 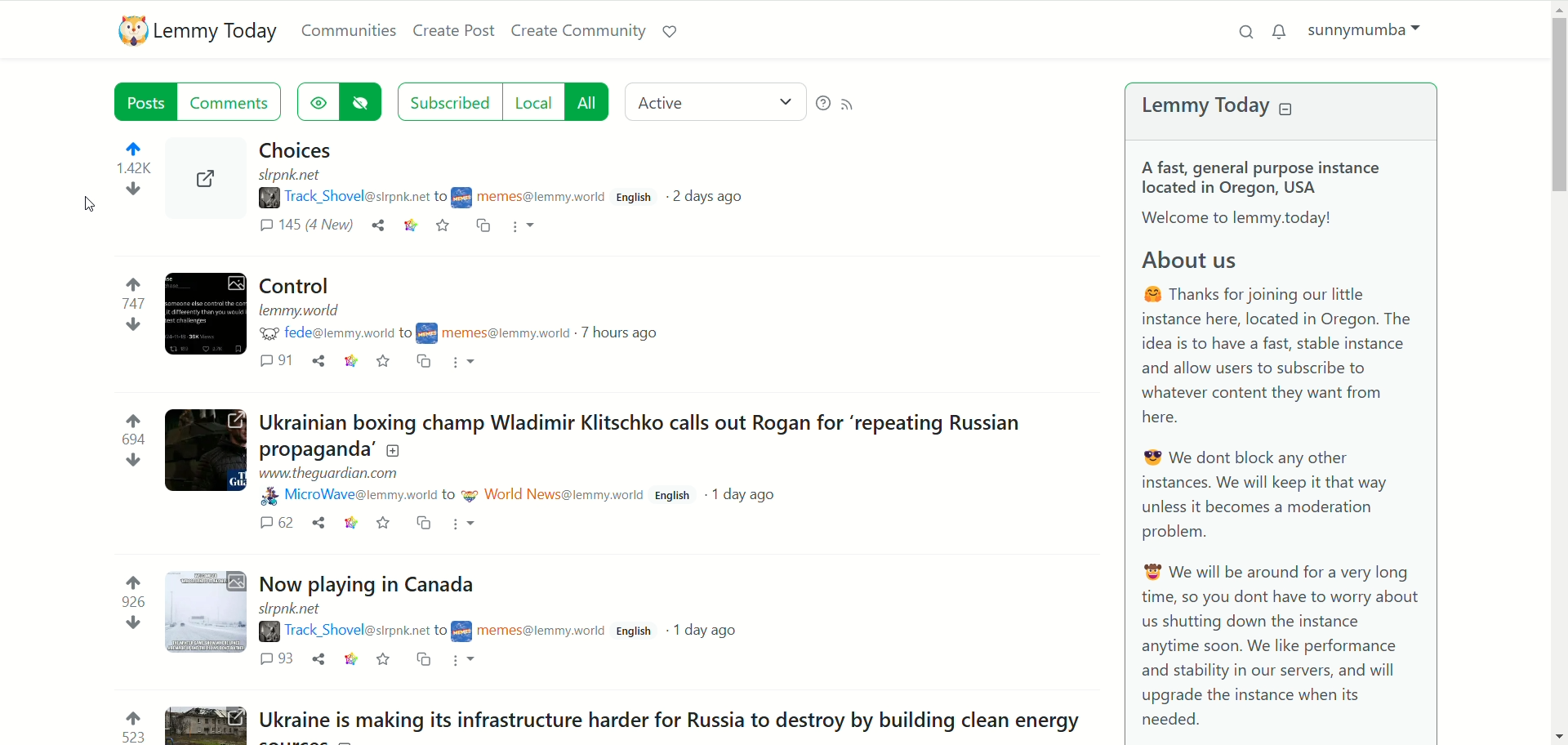 I want to click on | Welcome to lemmy.today!, so click(x=1253, y=219).